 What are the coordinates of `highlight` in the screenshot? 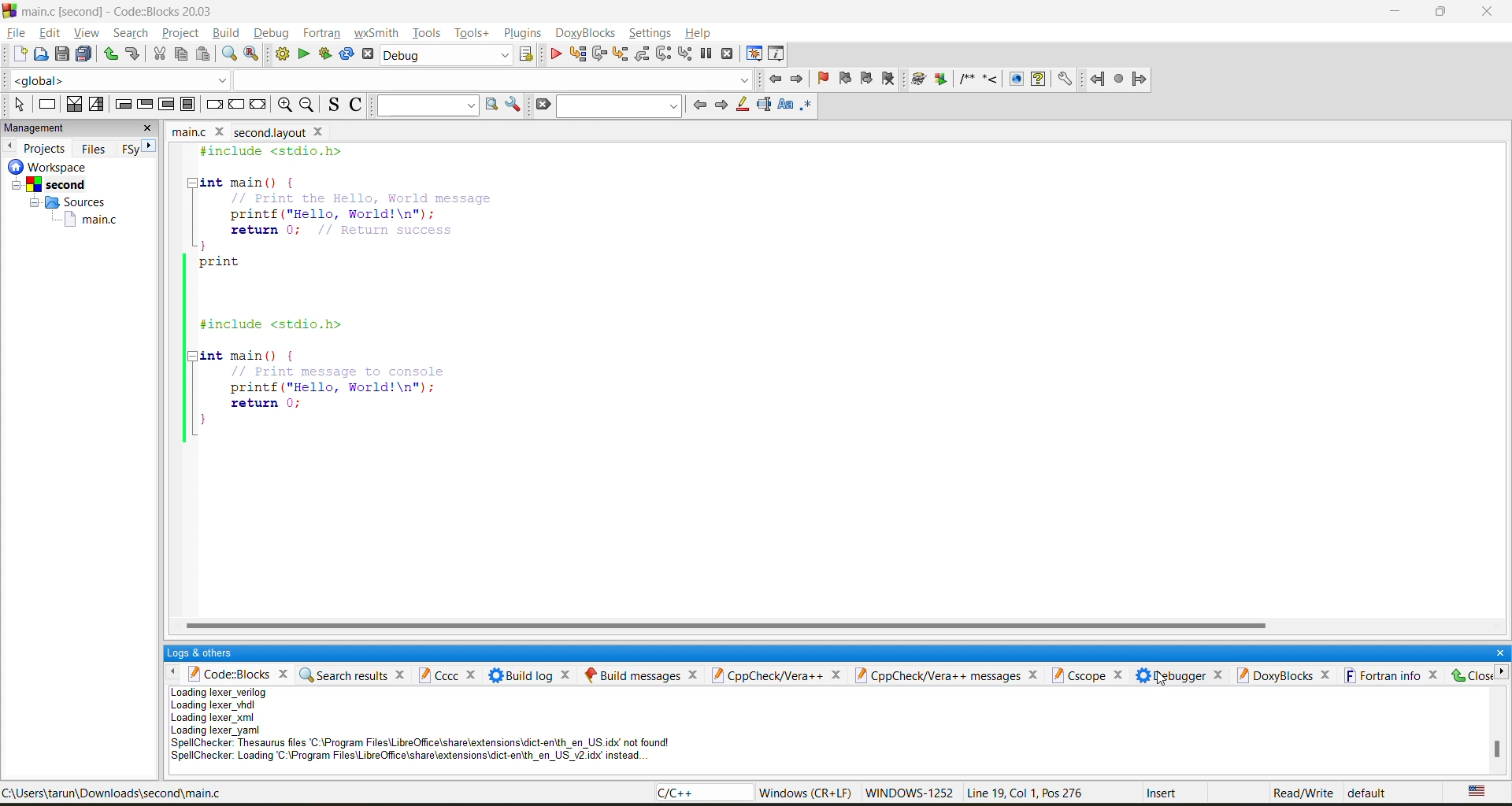 It's located at (743, 105).